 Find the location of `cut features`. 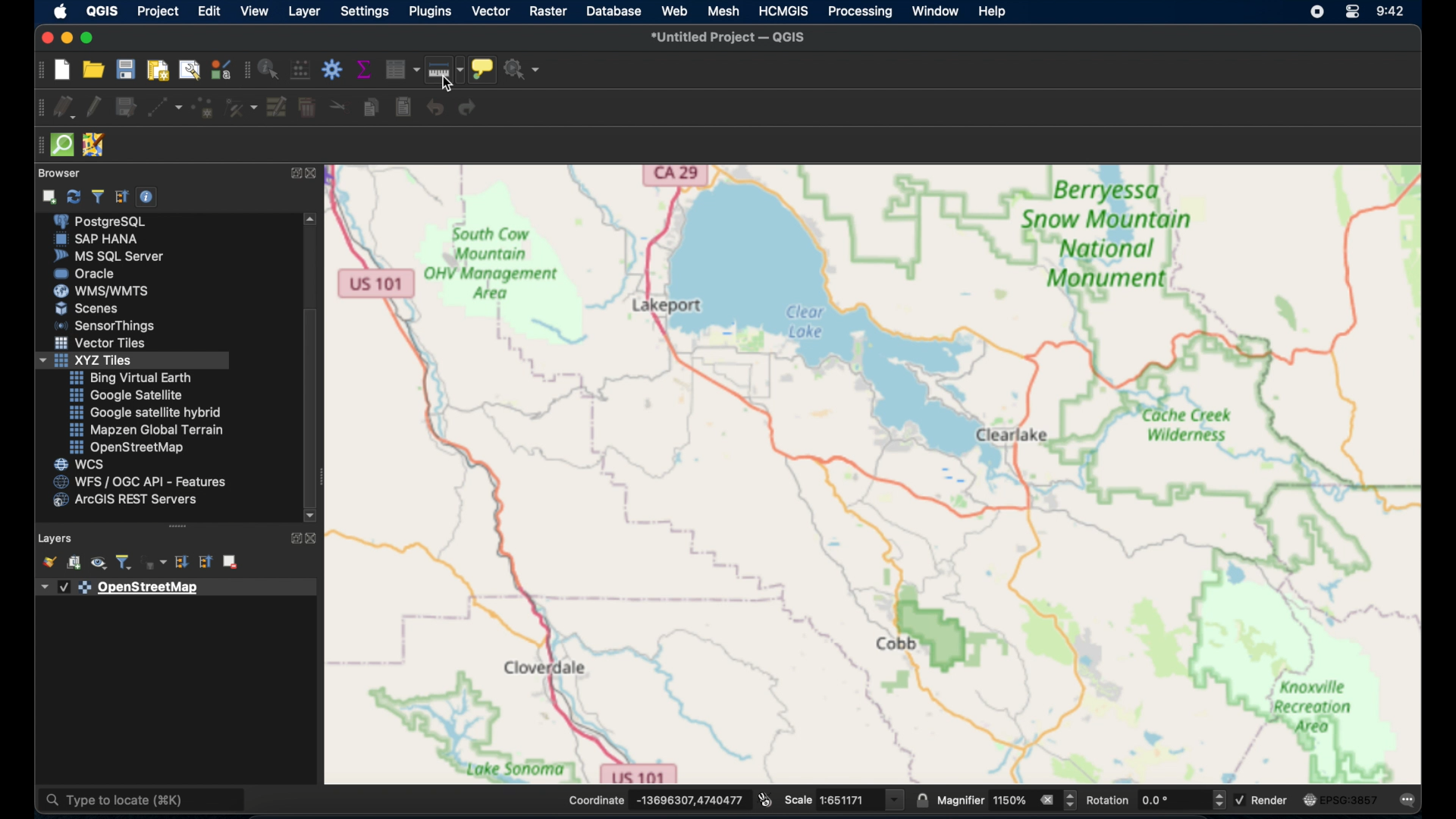

cut features is located at coordinates (335, 105).